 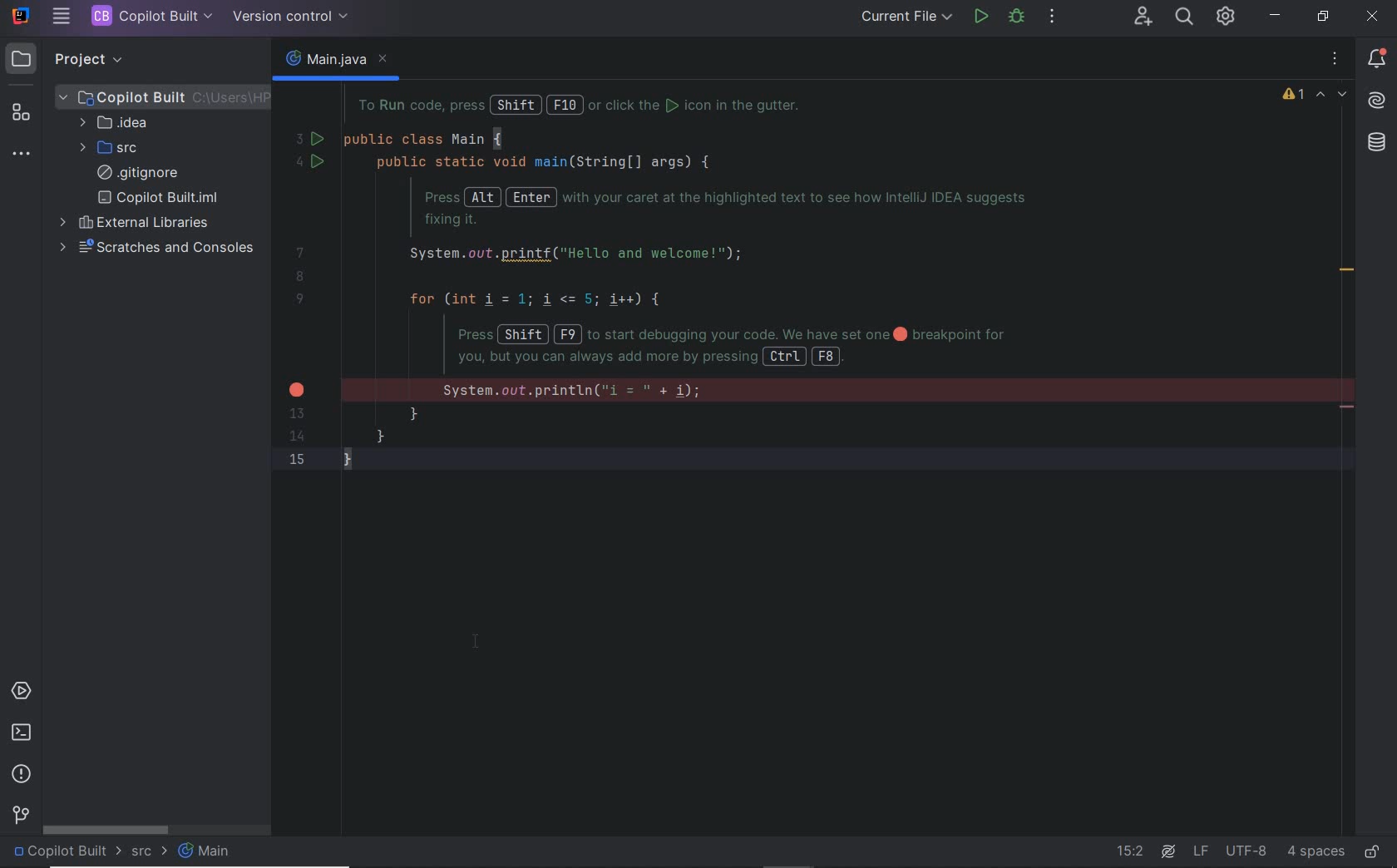 What do you see at coordinates (1377, 61) in the screenshot?
I see `notifications` at bounding box center [1377, 61].